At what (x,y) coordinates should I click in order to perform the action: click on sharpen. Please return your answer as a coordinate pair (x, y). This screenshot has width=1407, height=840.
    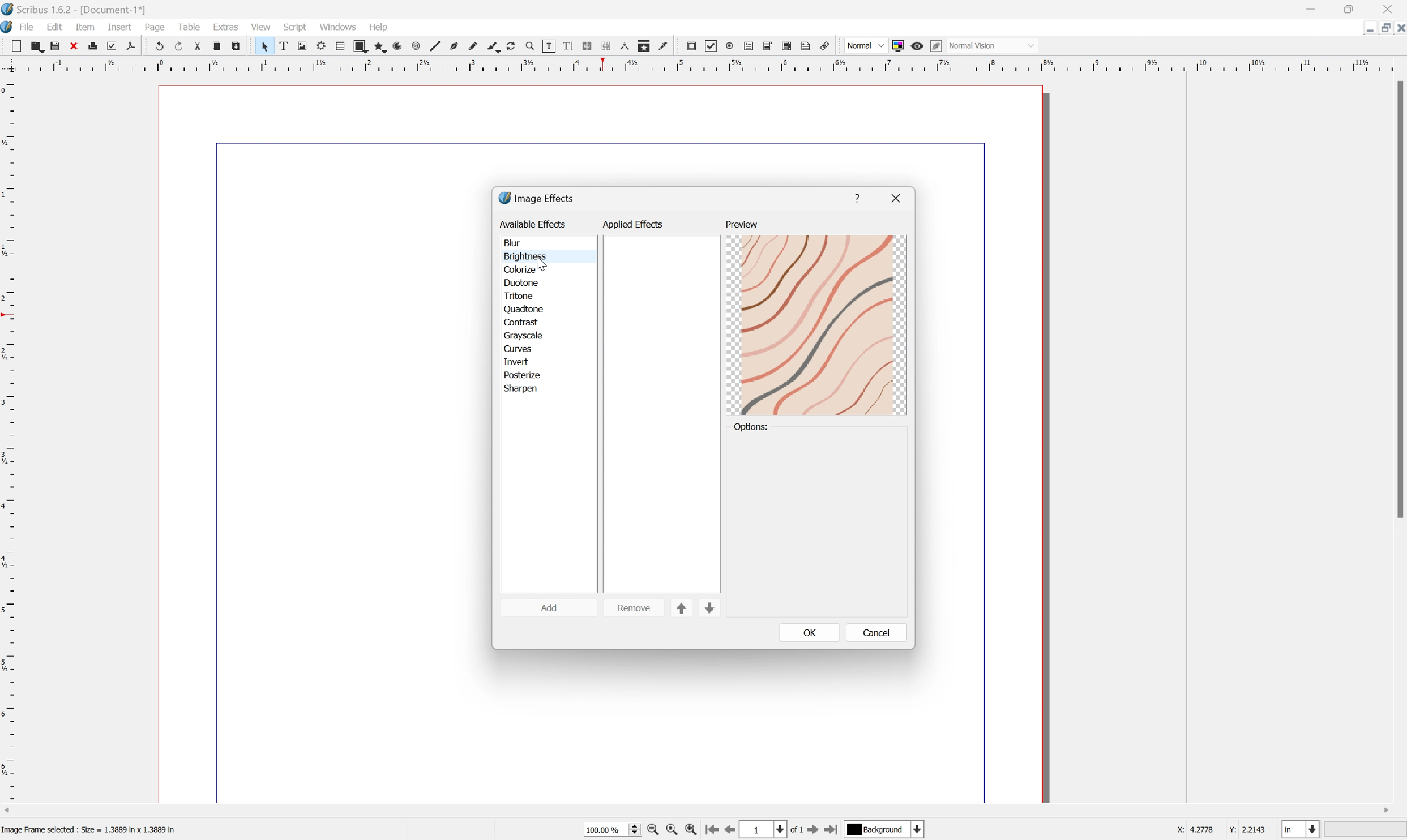
    Looking at the image, I should click on (524, 391).